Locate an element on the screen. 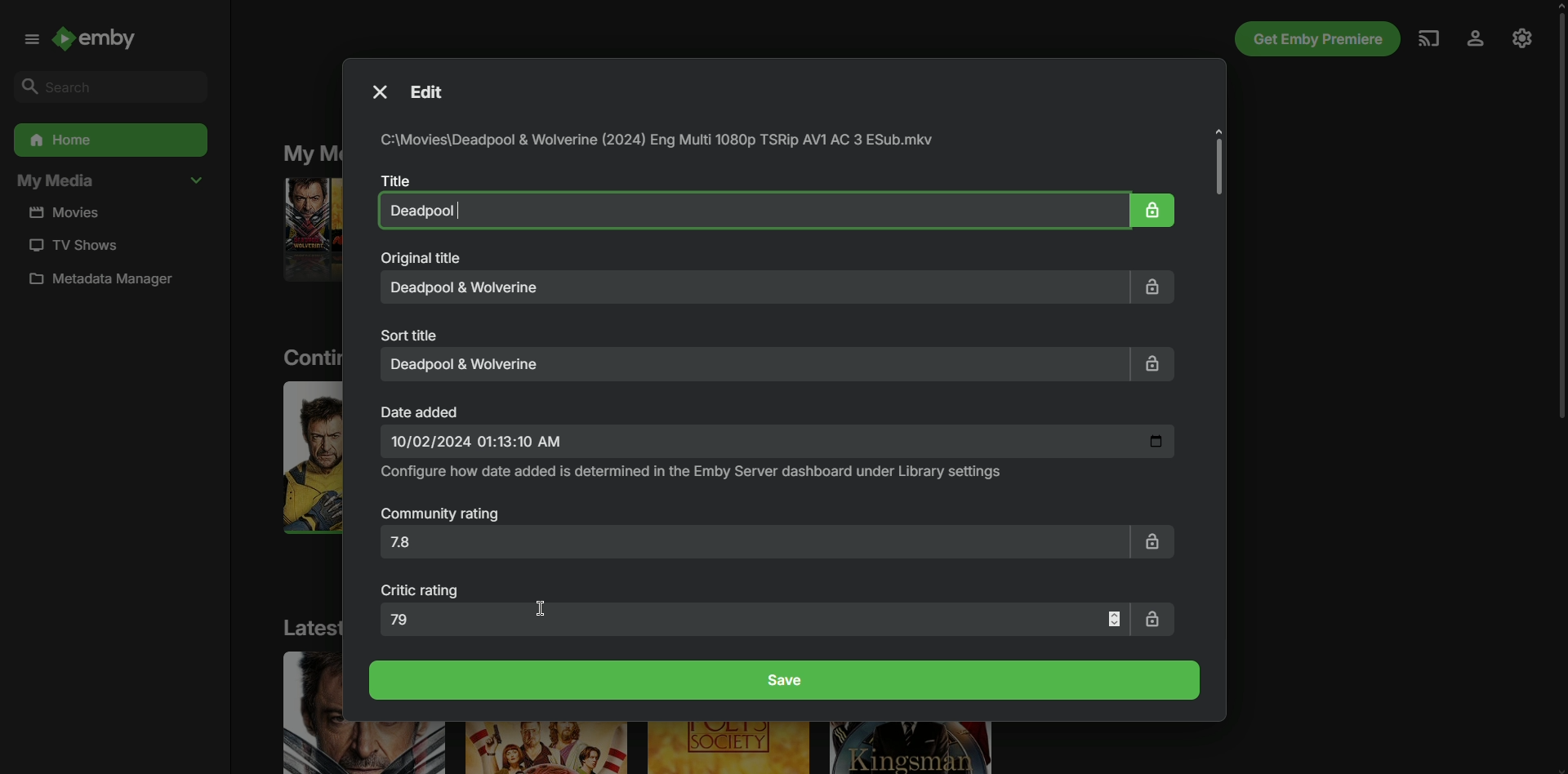 The image size is (1568, 774). Community Rating is located at coordinates (441, 515).